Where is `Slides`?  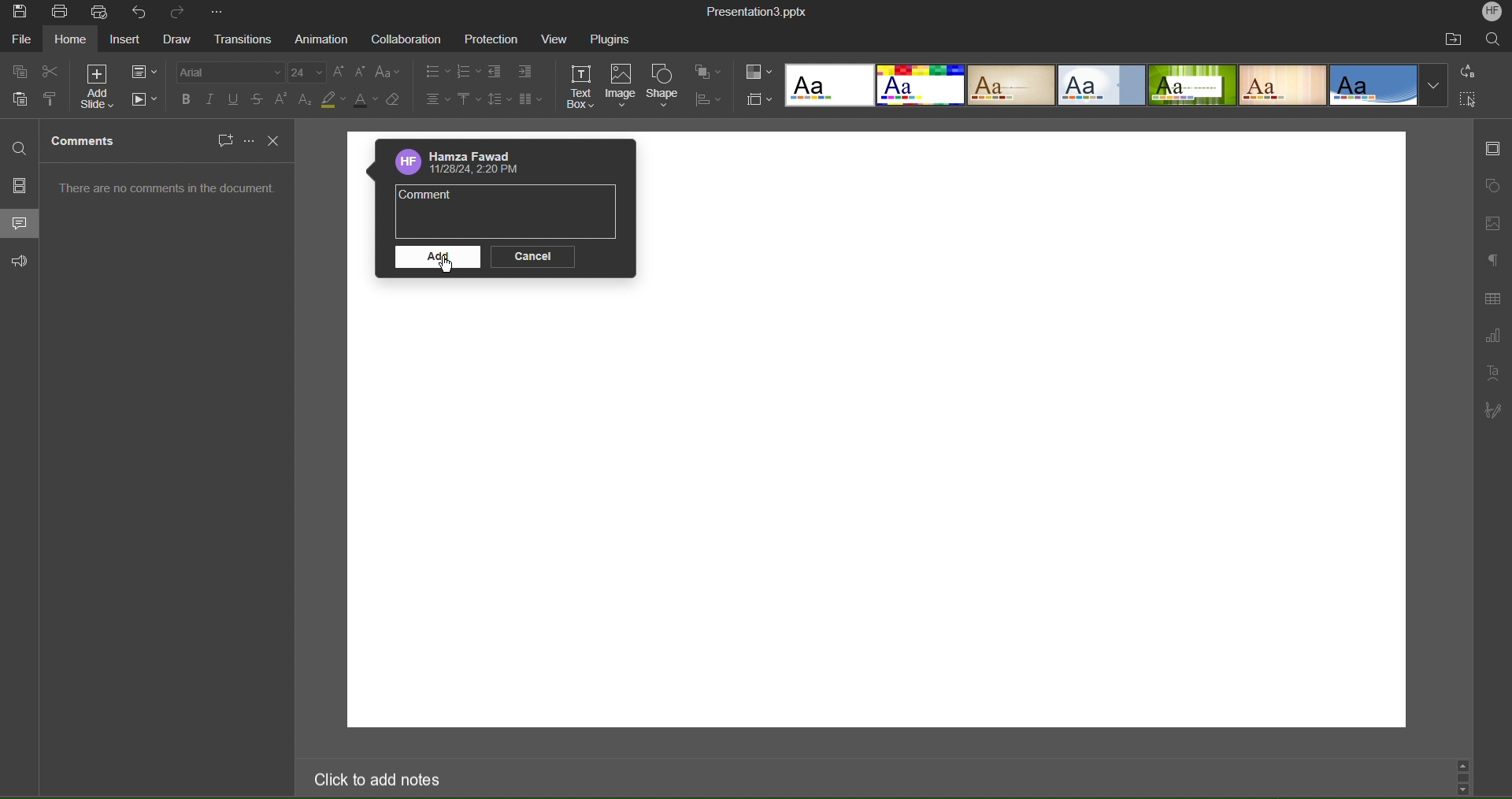 Slides is located at coordinates (20, 185).